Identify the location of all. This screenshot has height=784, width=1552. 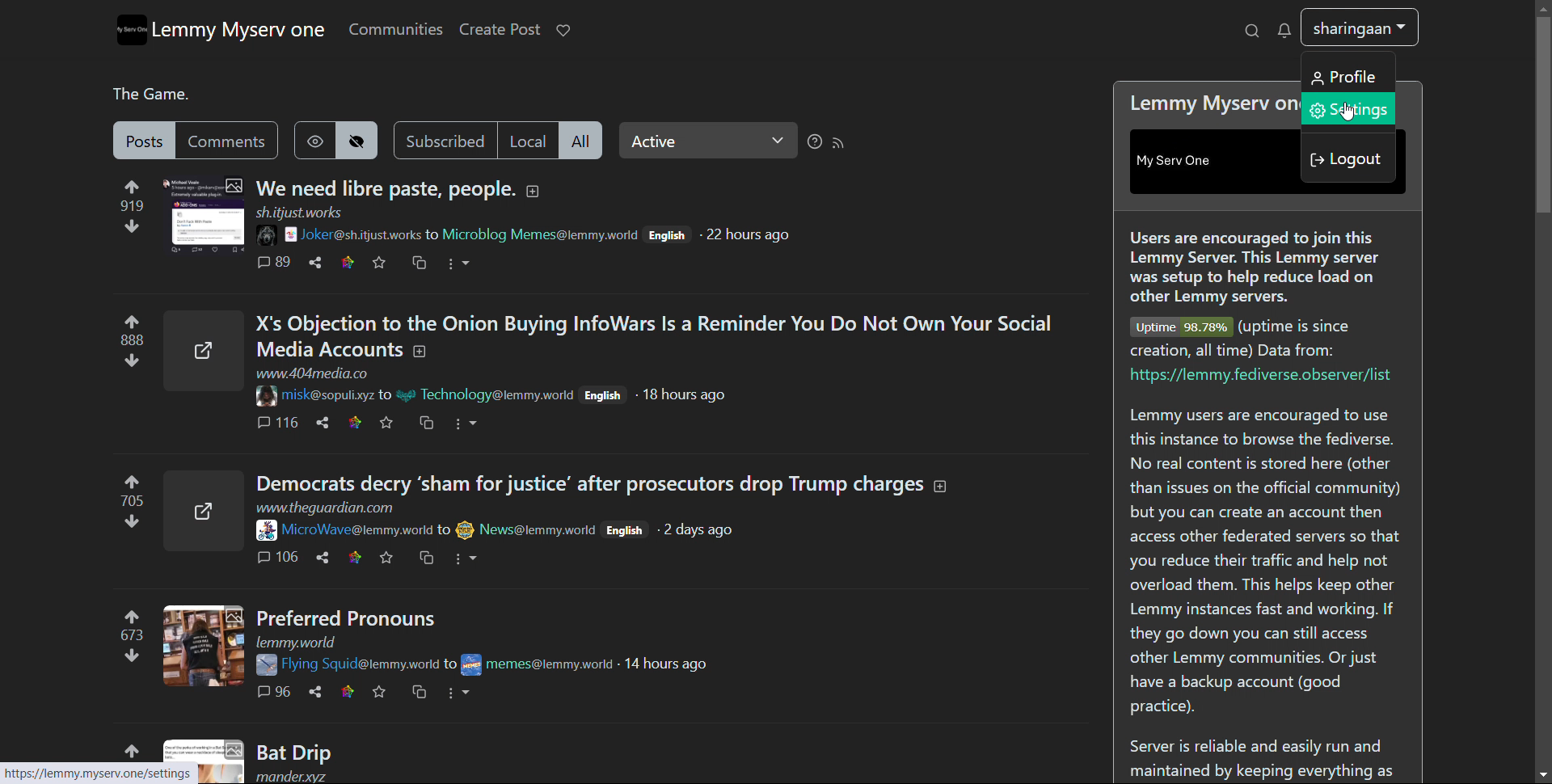
(581, 141).